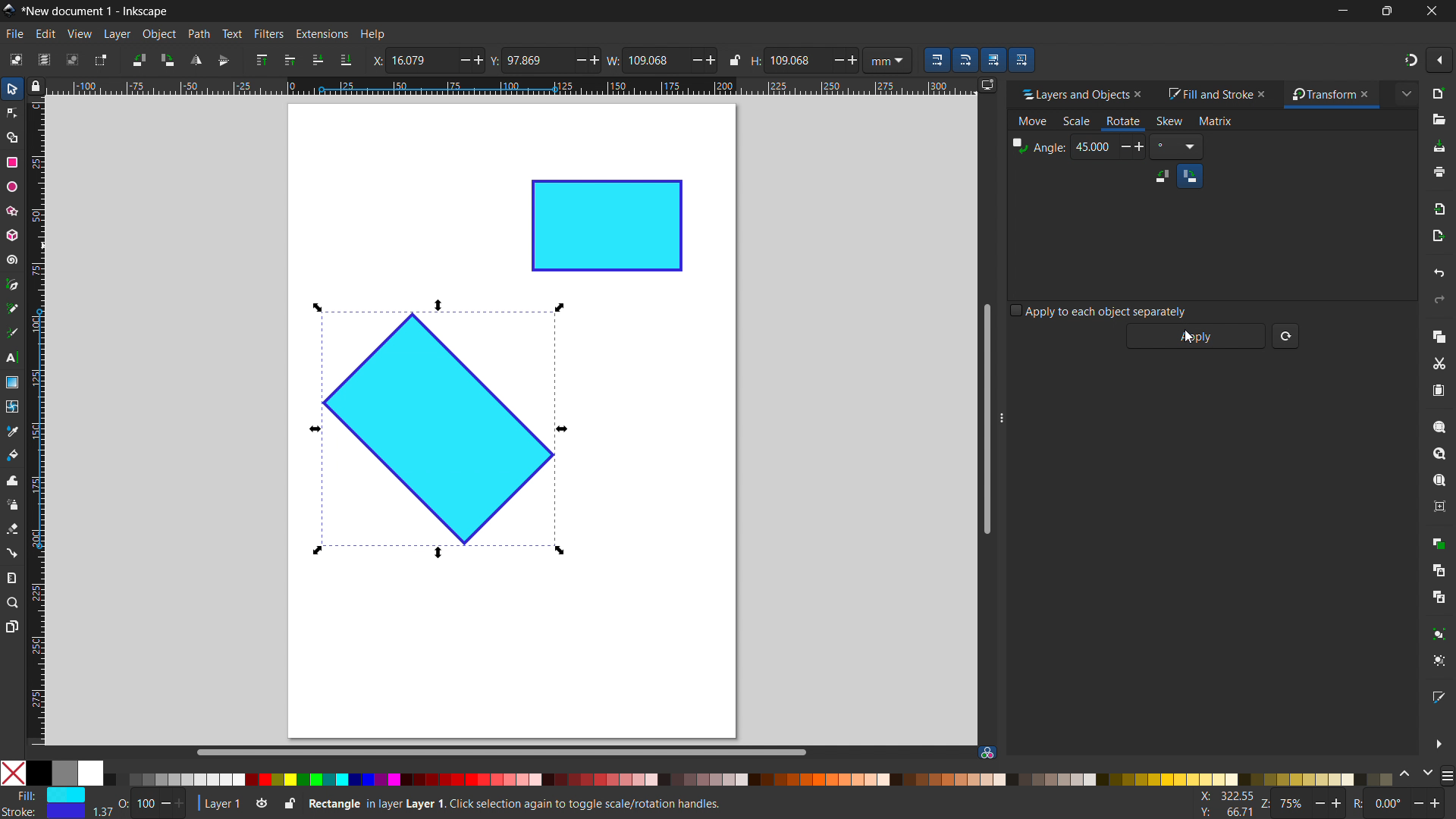  Describe the element at coordinates (14, 59) in the screenshot. I see `select all` at that location.